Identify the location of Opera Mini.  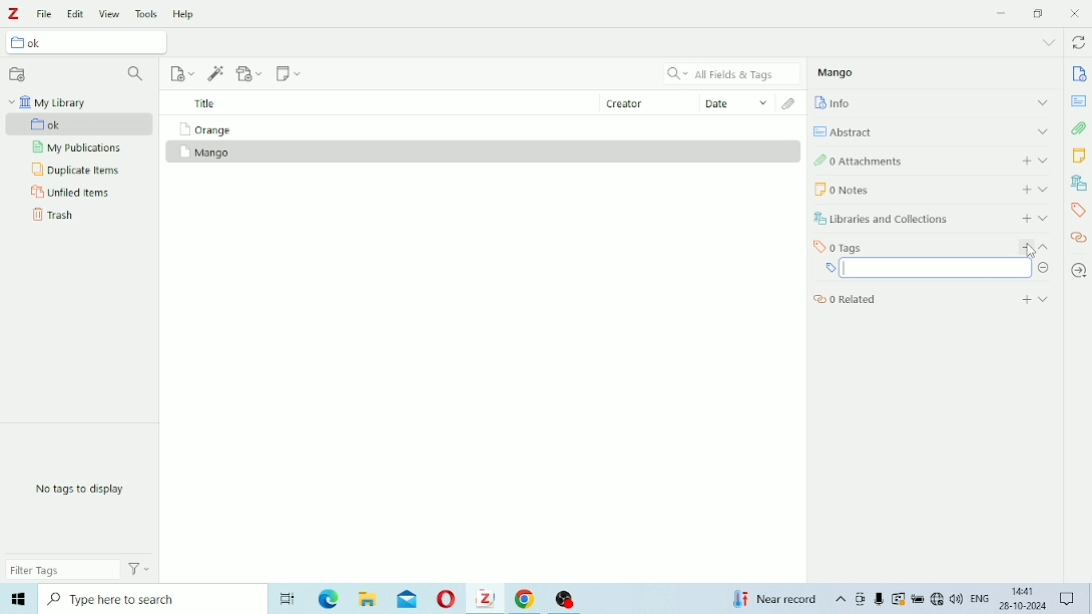
(448, 598).